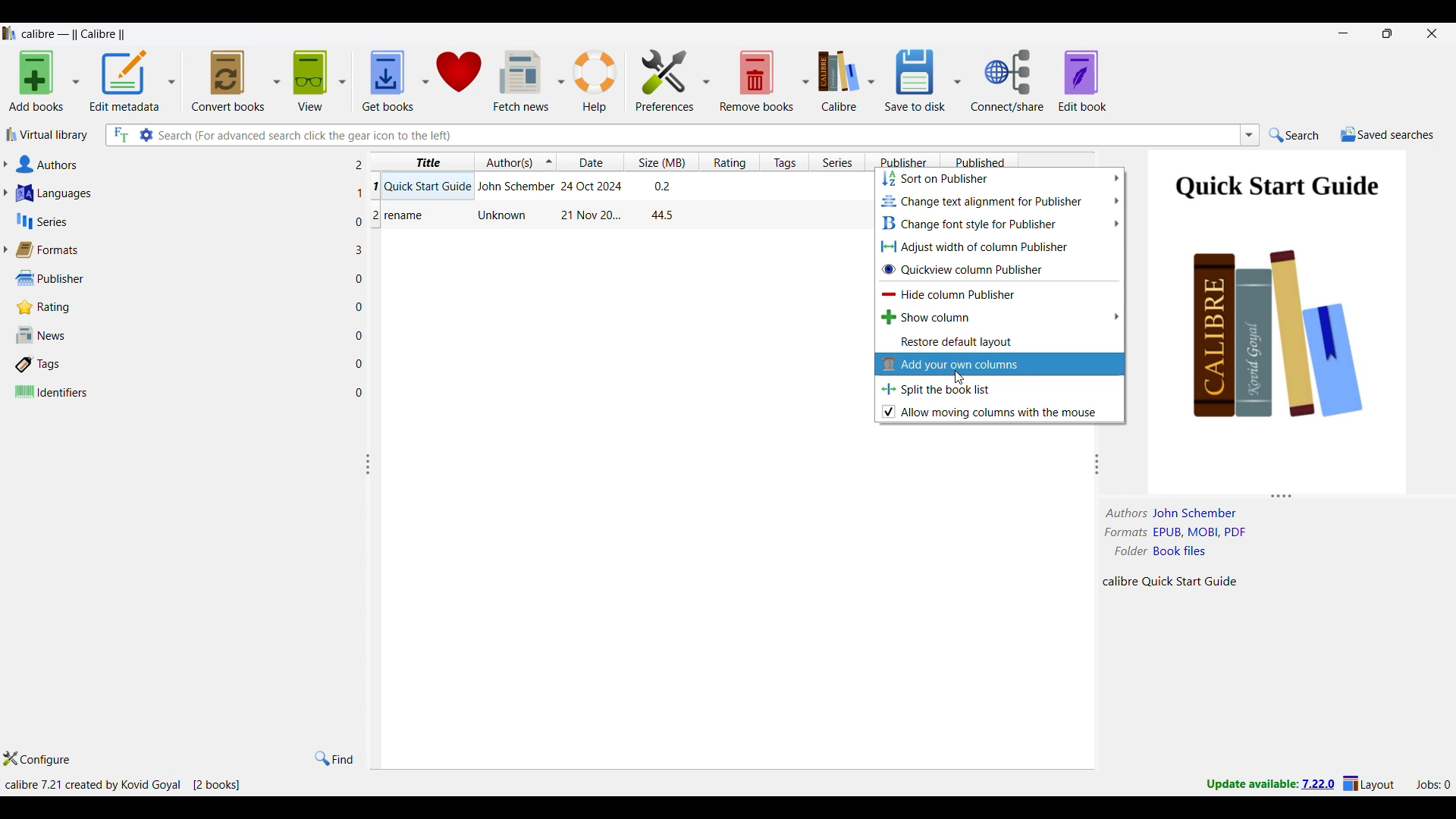  Describe the element at coordinates (1344, 33) in the screenshot. I see `Minimize` at that location.